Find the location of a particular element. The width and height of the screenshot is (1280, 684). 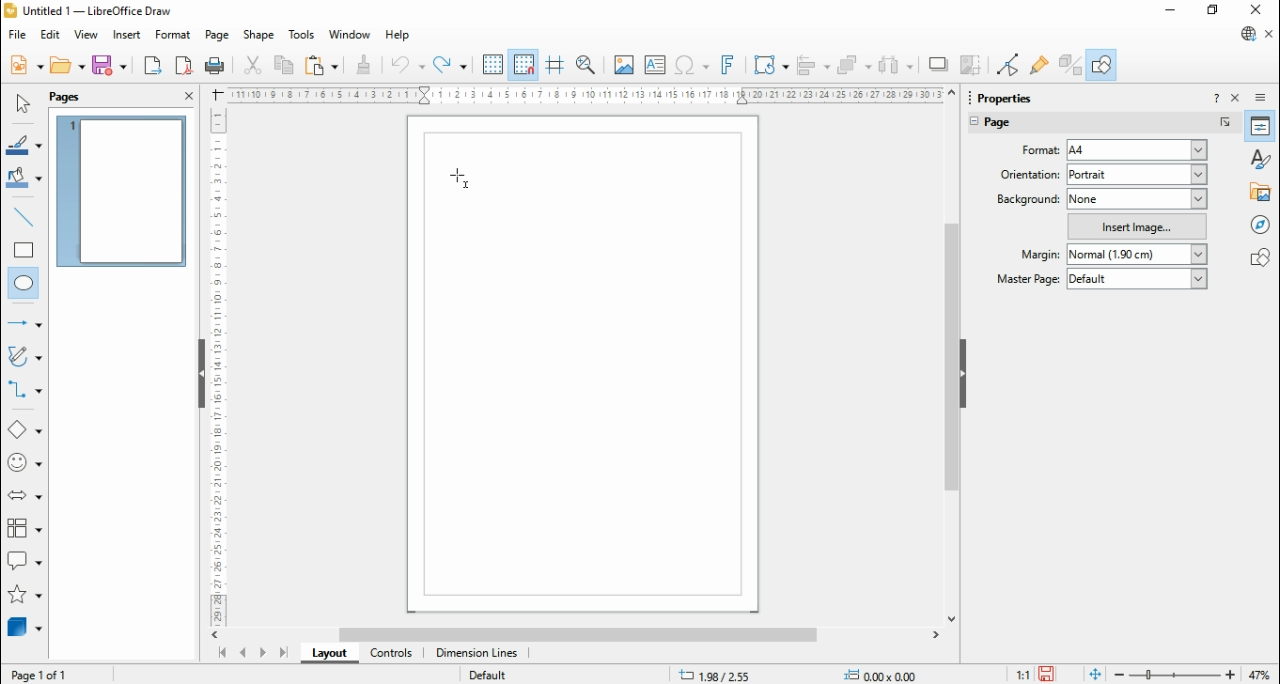

dimension lines is located at coordinates (478, 653).